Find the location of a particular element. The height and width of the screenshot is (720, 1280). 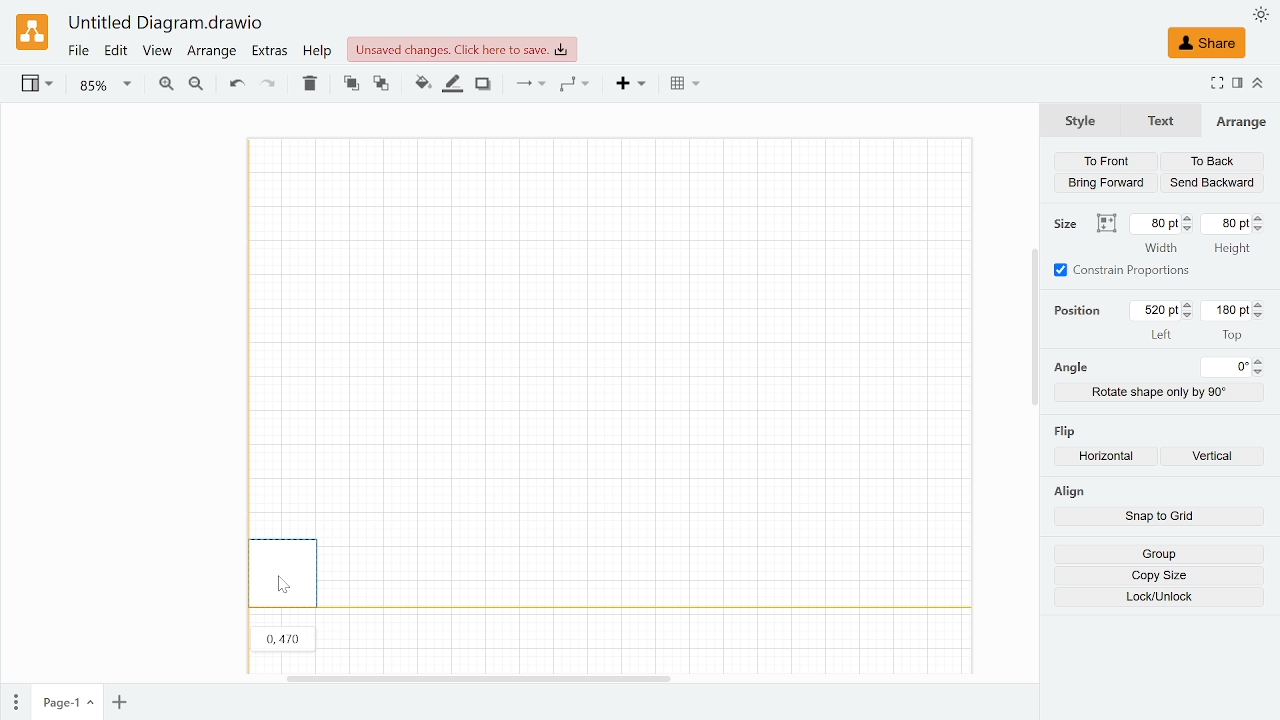

flip is located at coordinates (1067, 429).